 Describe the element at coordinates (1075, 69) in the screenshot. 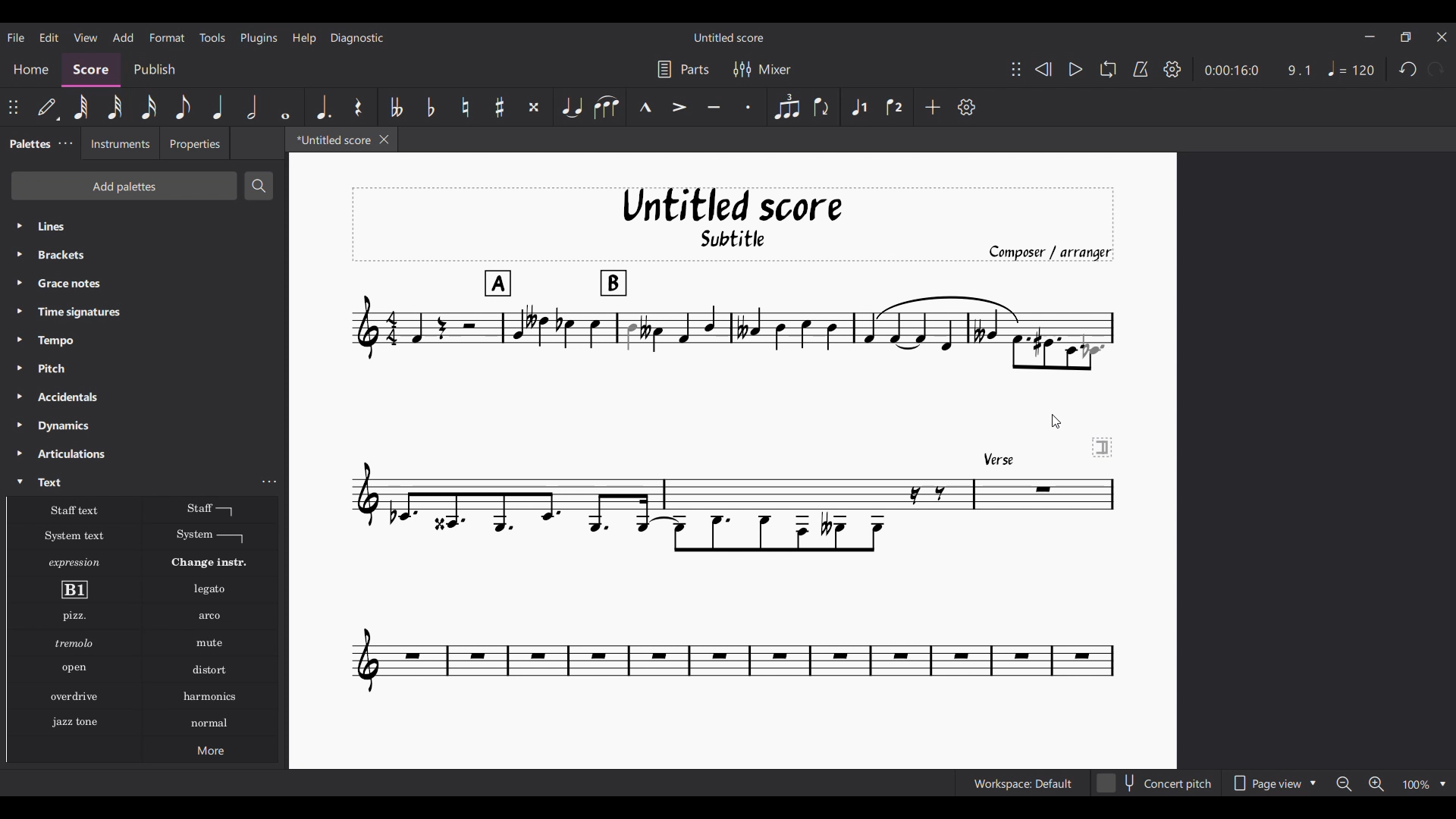

I see `Play` at that location.